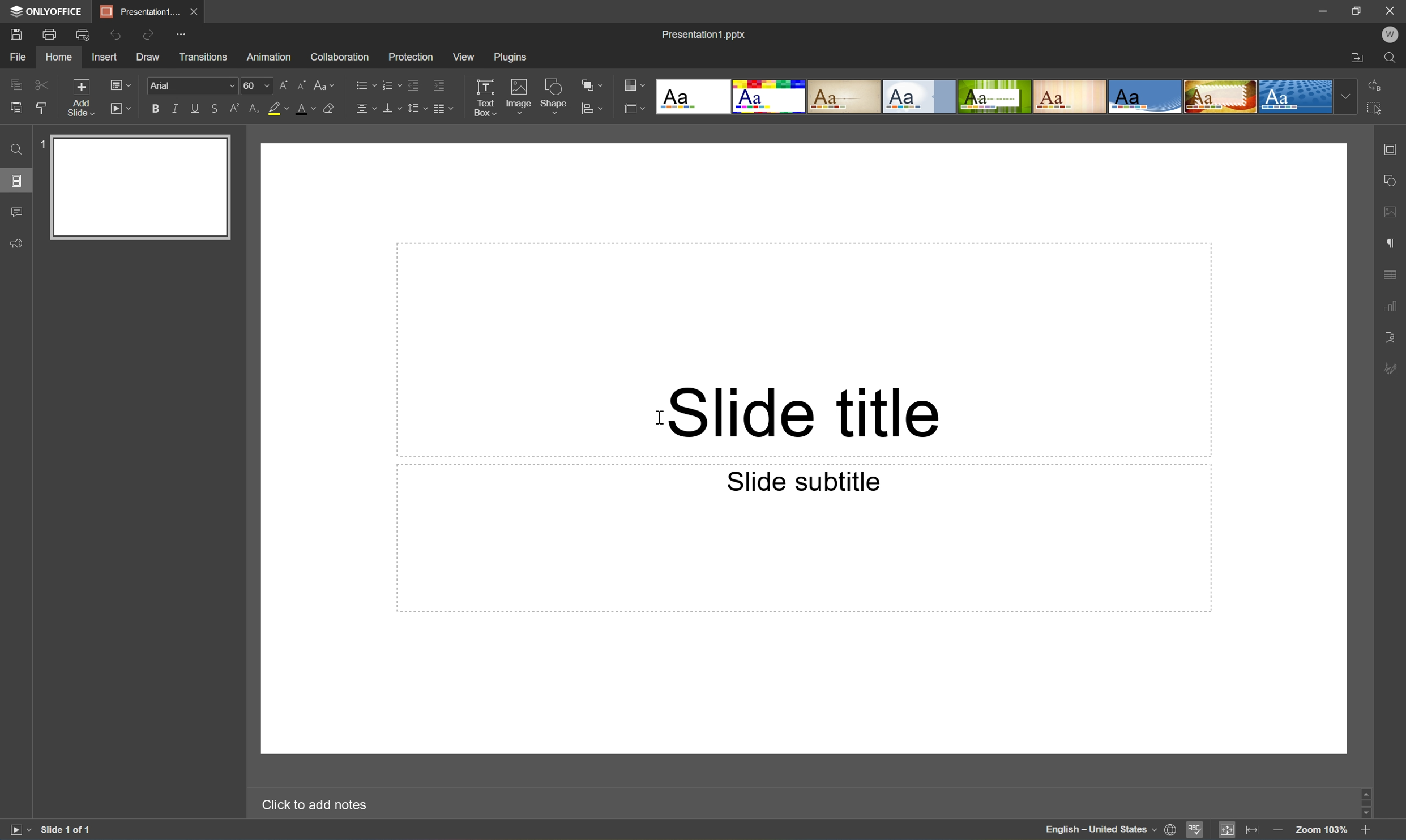 This screenshot has width=1406, height=840. What do you see at coordinates (140, 187) in the screenshot?
I see `Slide` at bounding box center [140, 187].